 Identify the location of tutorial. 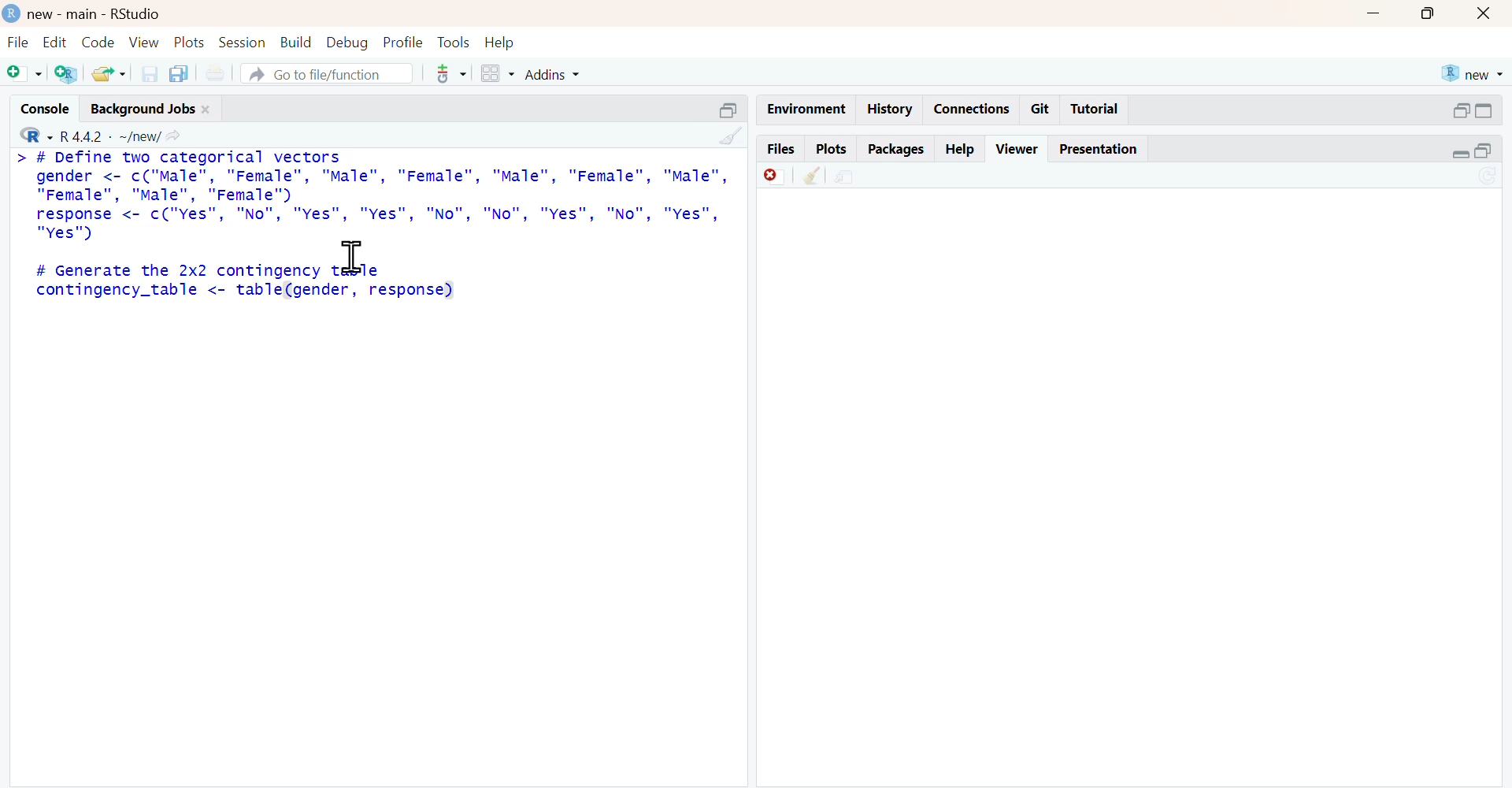
(1094, 110).